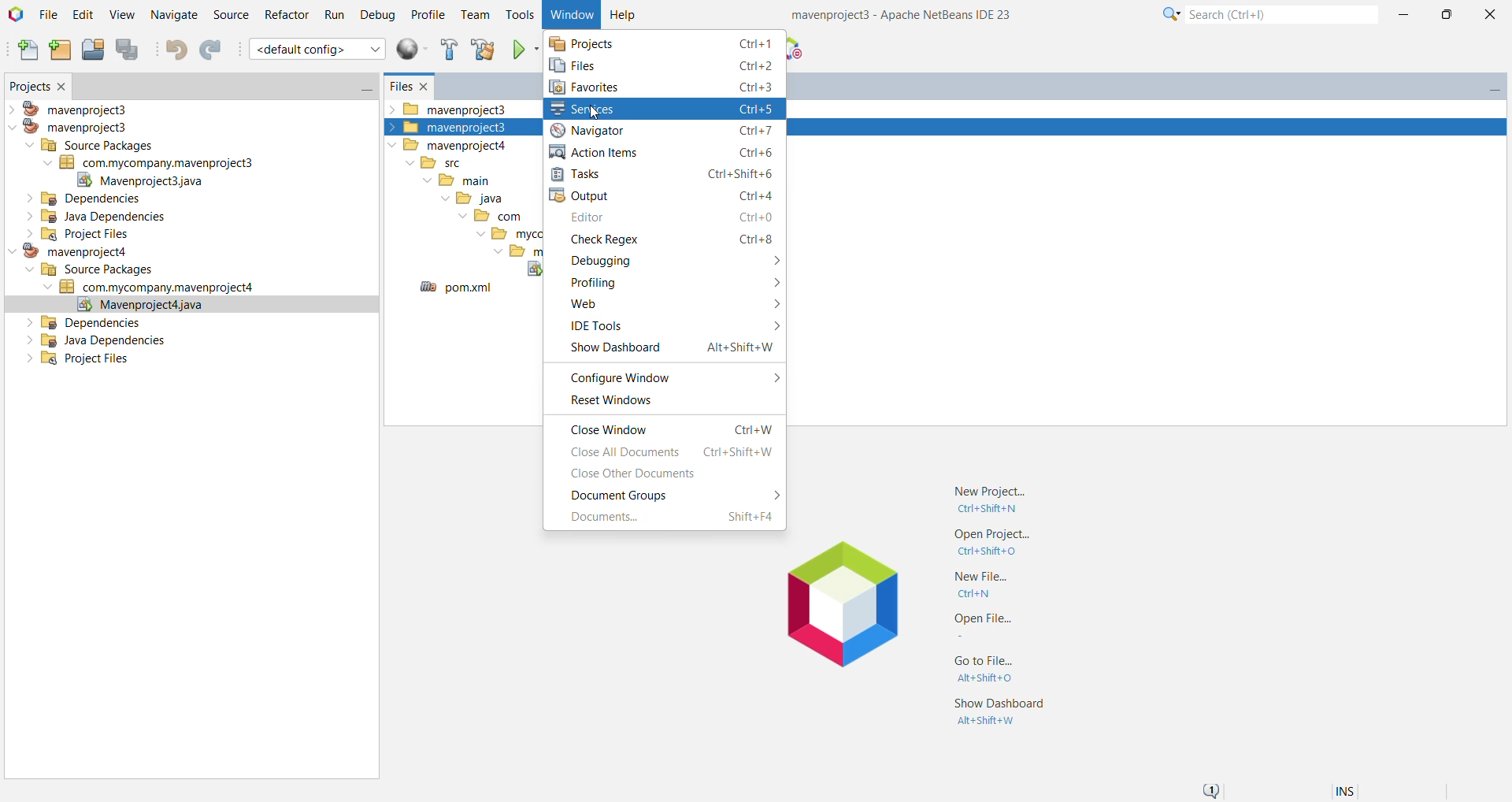 The height and width of the screenshot is (802, 1512). Describe the element at coordinates (669, 239) in the screenshot. I see `Check Regex` at that location.